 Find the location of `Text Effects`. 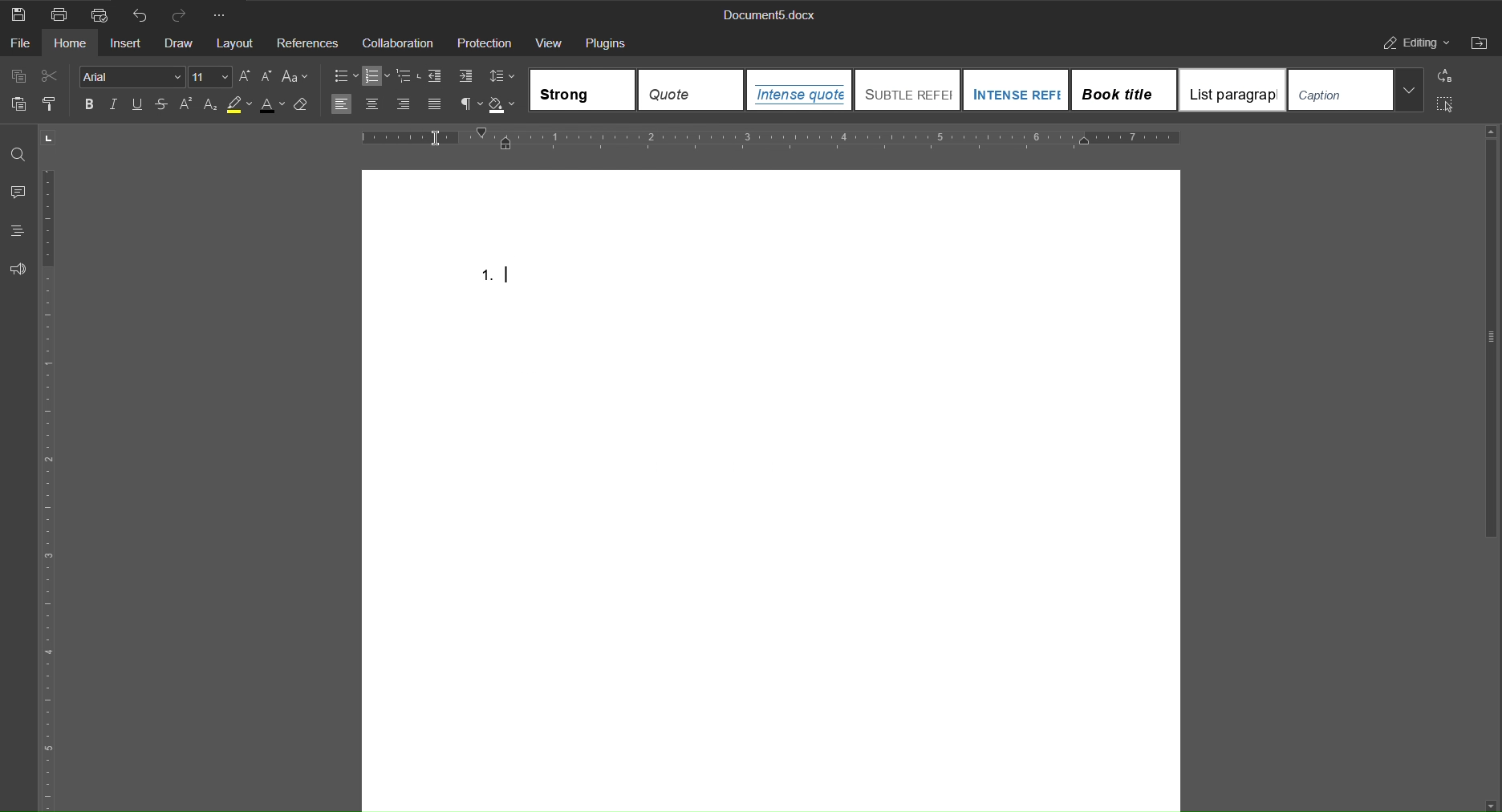

Text Effects is located at coordinates (127, 104).